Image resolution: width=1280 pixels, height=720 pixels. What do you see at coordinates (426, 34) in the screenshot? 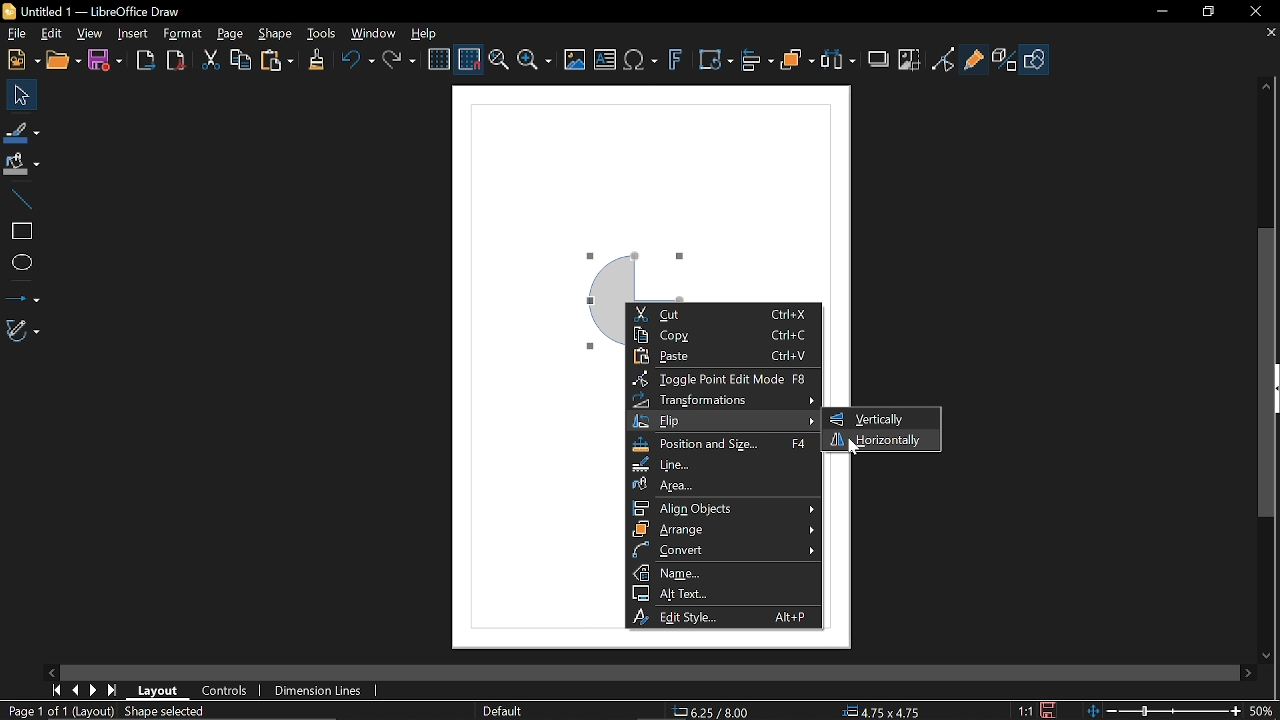
I see `Help` at bounding box center [426, 34].